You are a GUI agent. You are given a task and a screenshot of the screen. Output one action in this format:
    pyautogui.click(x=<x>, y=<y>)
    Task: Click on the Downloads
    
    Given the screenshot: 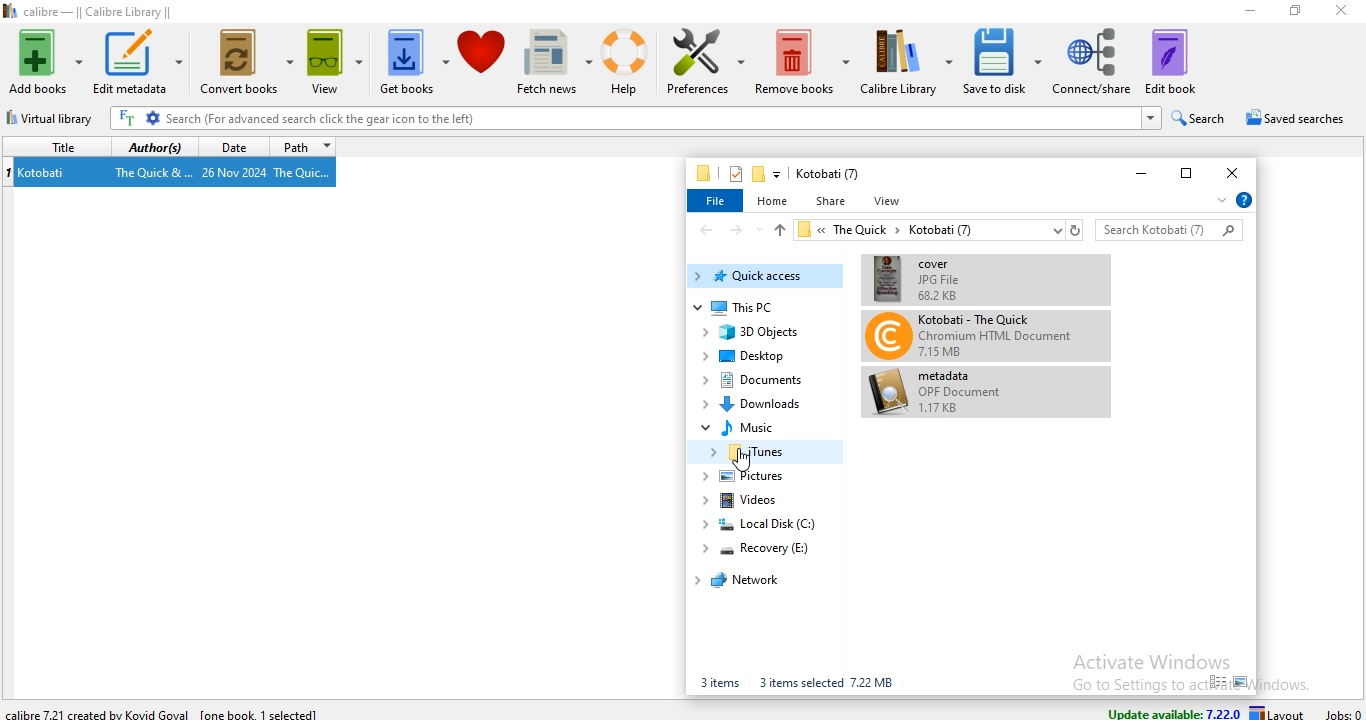 What is the action you would take?
    pyautogui.click(x=760, y=402)
    